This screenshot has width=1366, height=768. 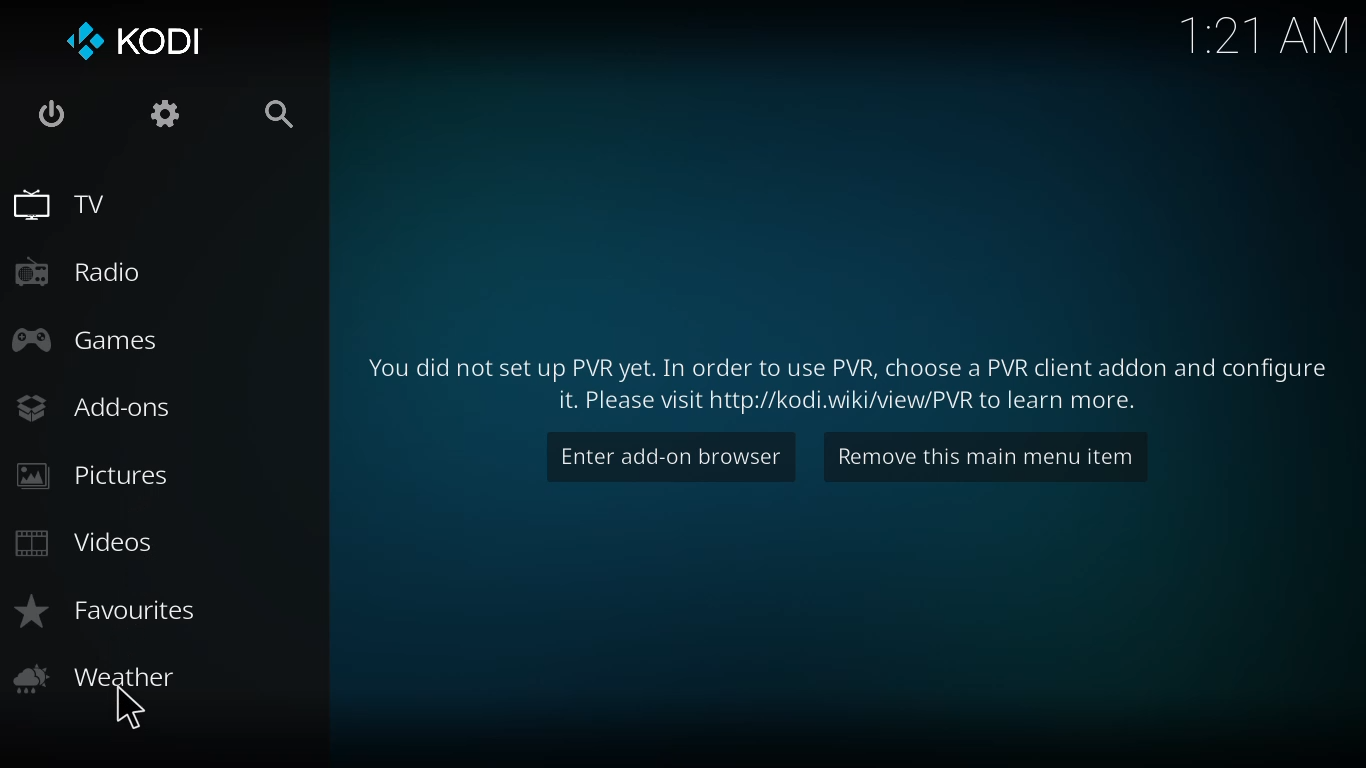 I want to click on cursor, so click(x=131, y=707).